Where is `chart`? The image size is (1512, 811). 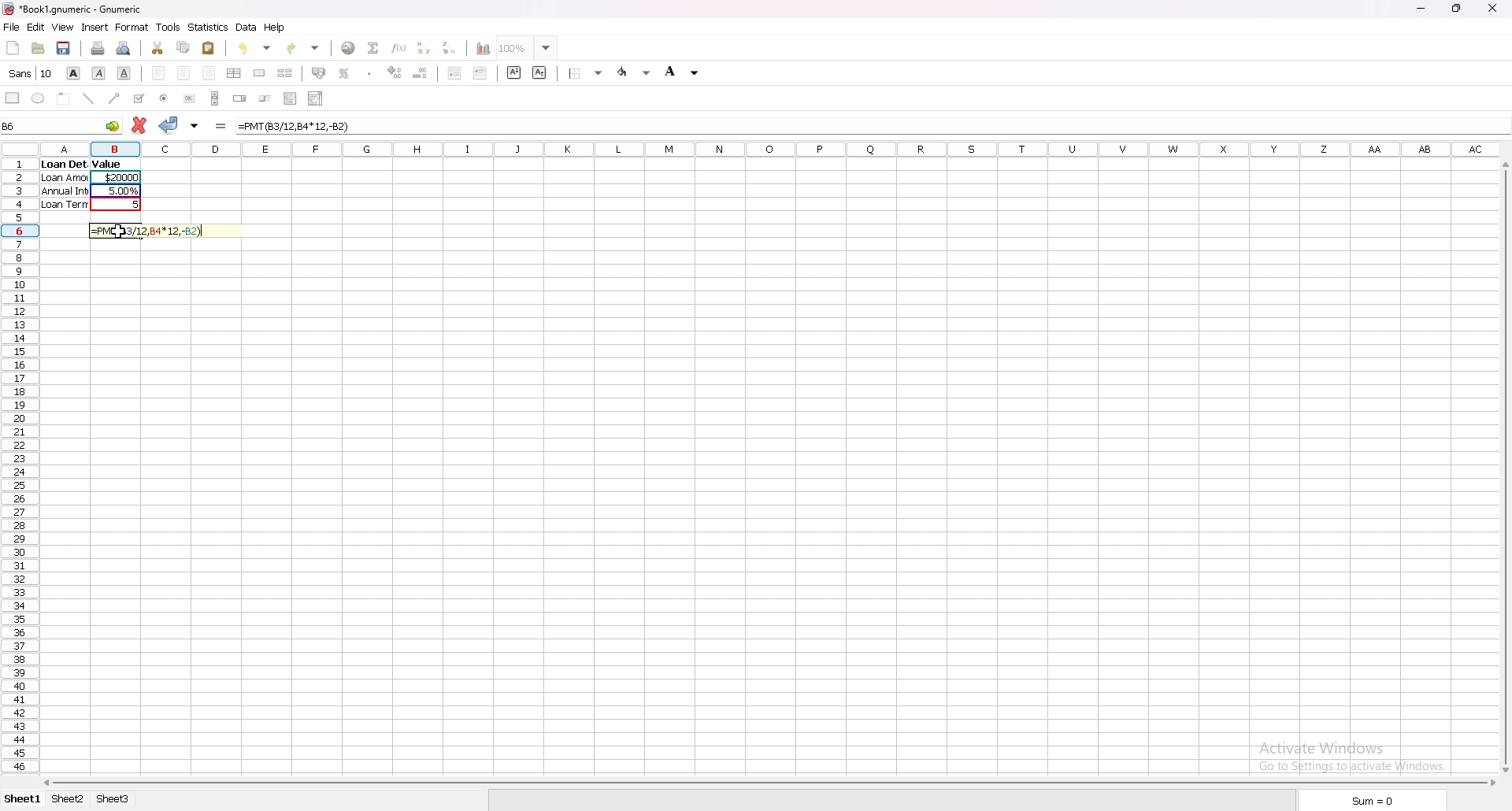
chart is located at coordinates (484, 49).